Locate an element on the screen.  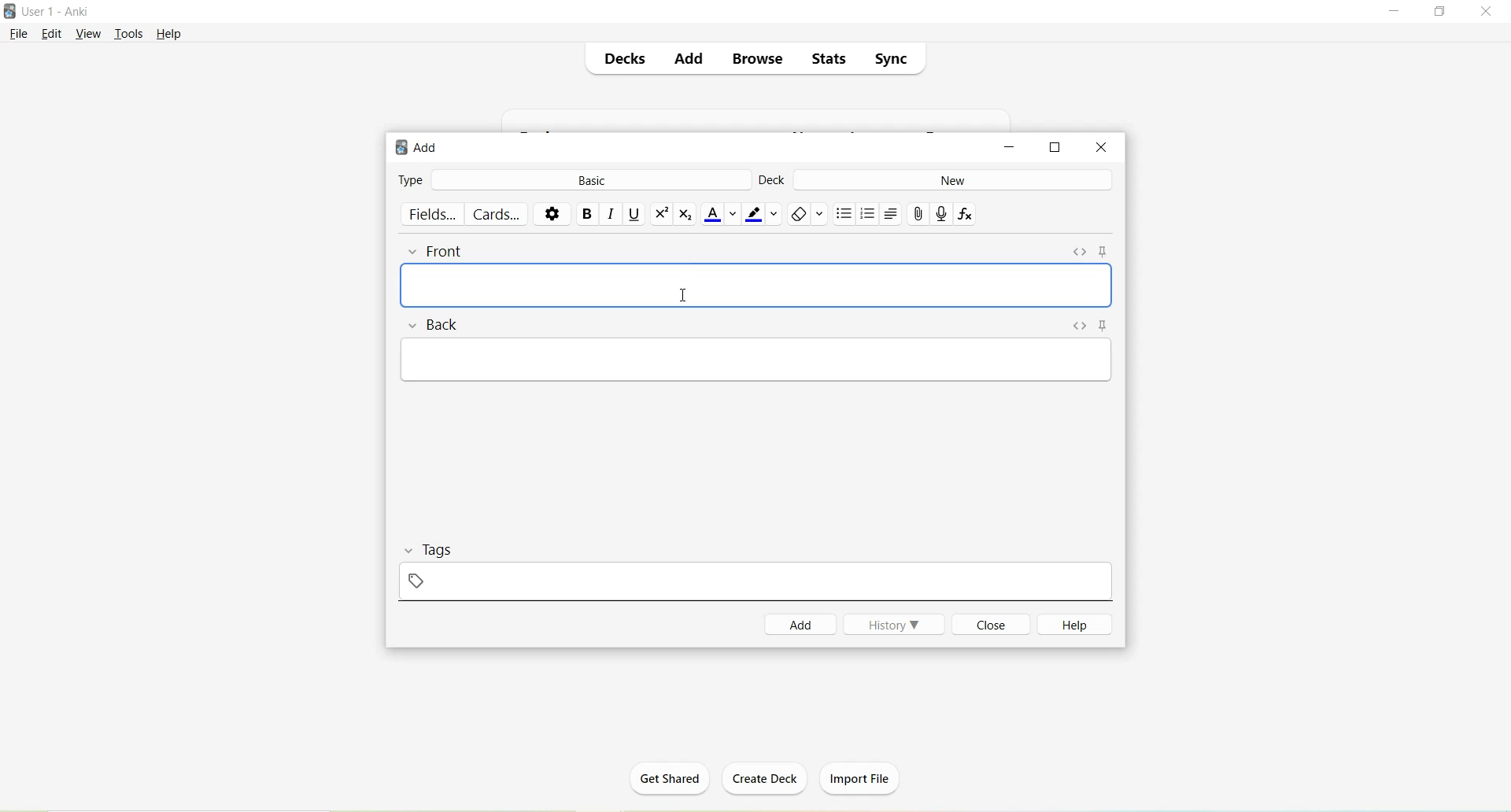
cursor is located at coordinates (682, 295).